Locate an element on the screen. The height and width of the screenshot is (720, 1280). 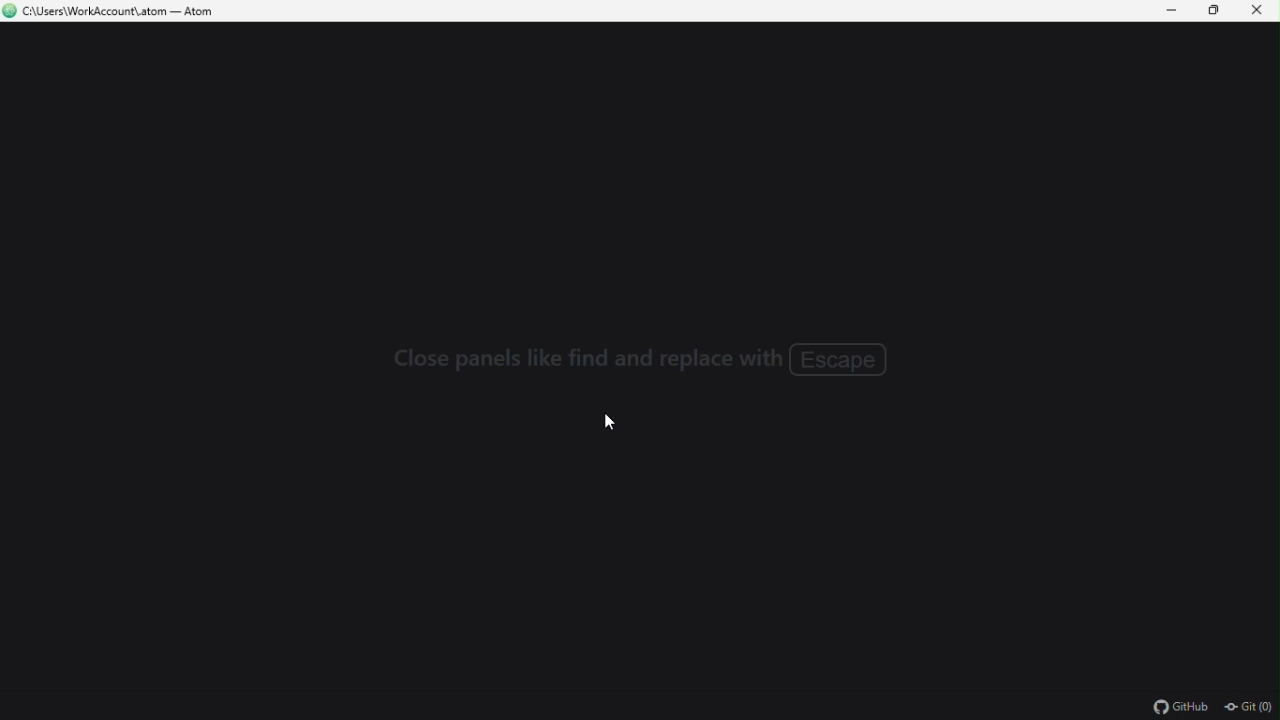
C:\users\work\account\atom - Atom is located at coordinates (125, 13).